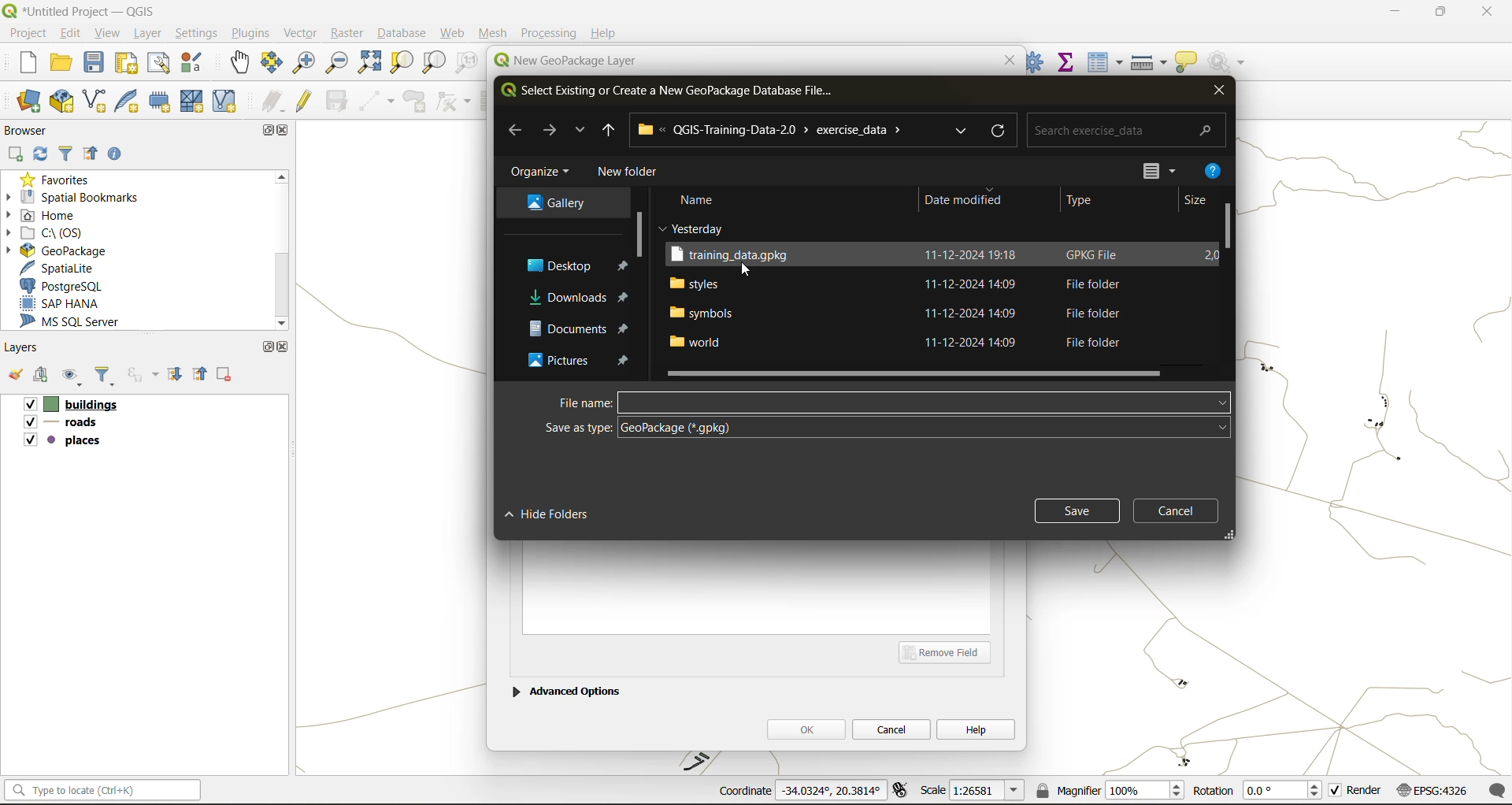 The image size is (1512, 805). What do you see at coordinates (1357, 793) in the screenshot?
I see `render` at bounding box center [1357, 793].